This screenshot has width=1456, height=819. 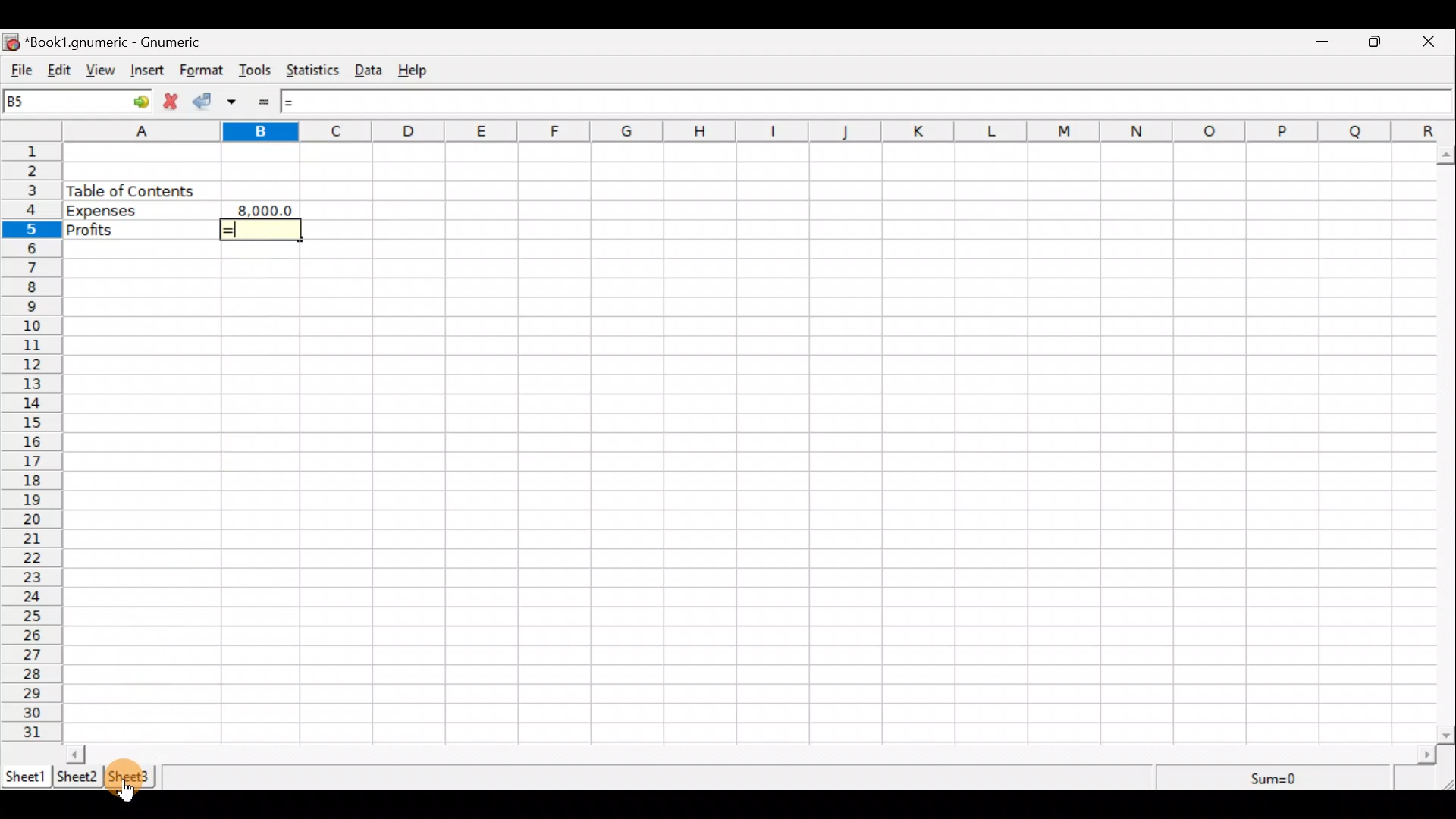 What do you see at coordinates (19, 71) in the screenshot?
I see `File` at bounding box center [19, 71].